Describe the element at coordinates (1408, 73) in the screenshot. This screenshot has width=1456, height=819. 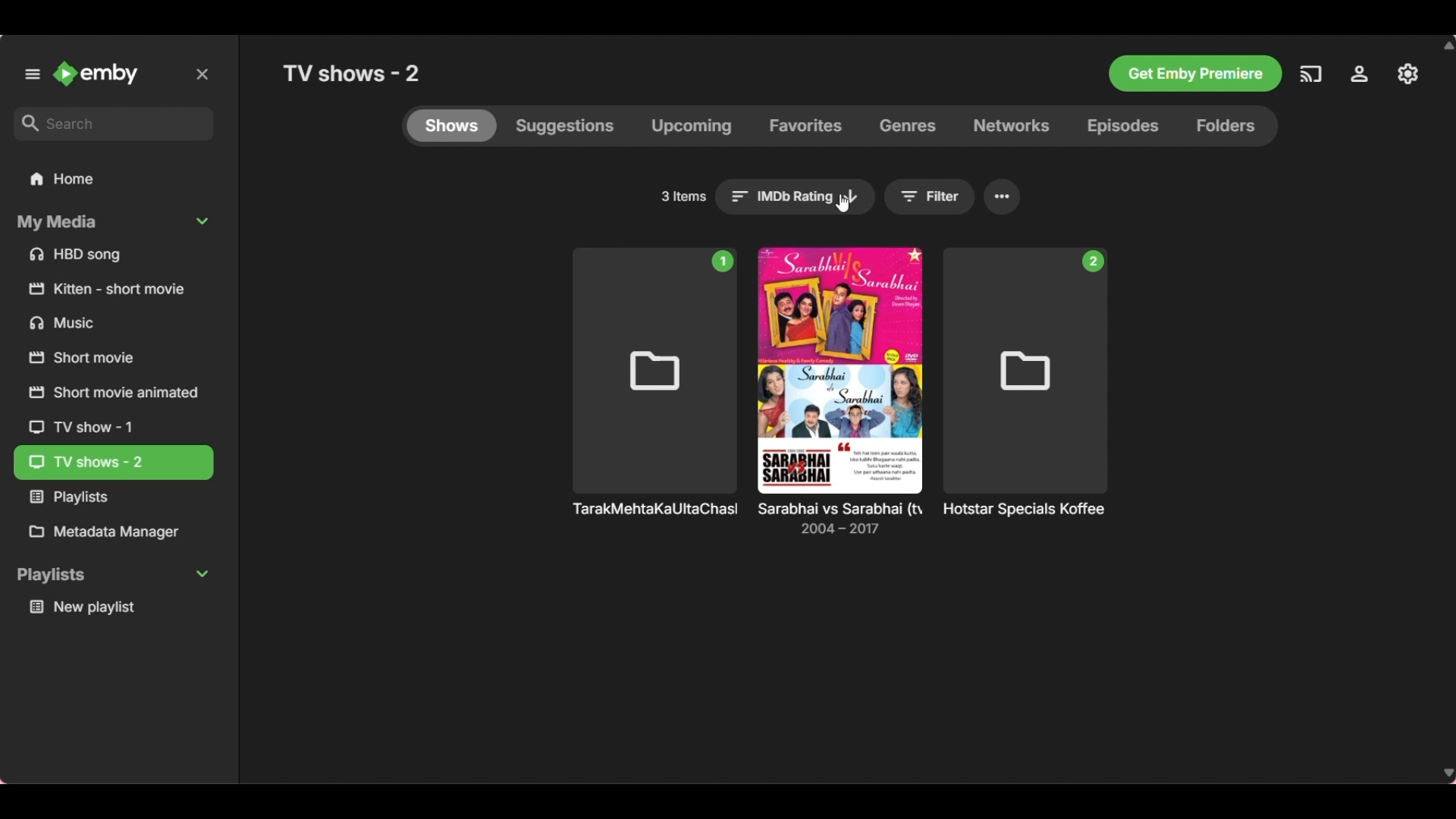
I see `` at that location.